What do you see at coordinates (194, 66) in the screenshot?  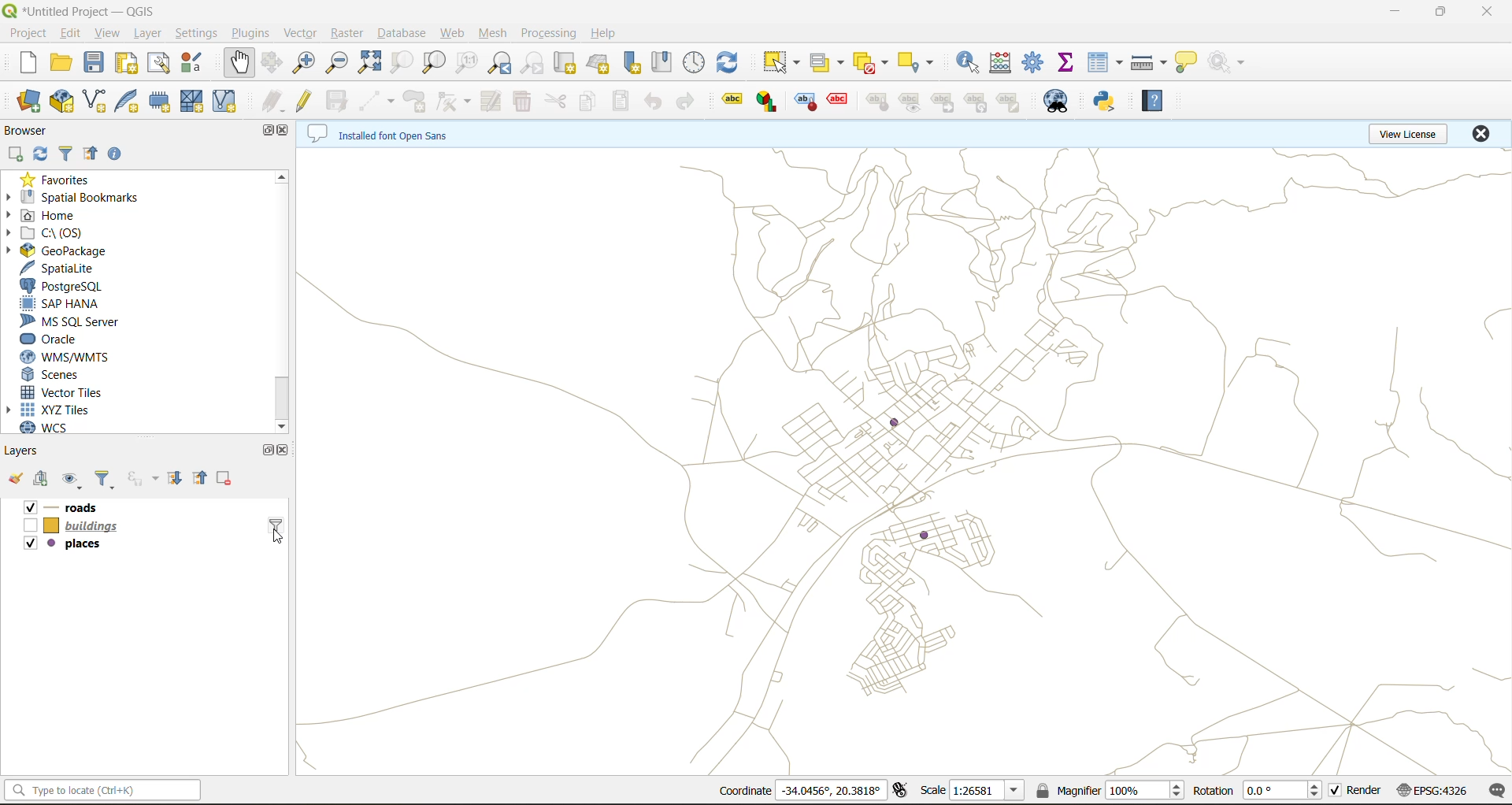 I see `style manager` at bounding box center [194, 66].